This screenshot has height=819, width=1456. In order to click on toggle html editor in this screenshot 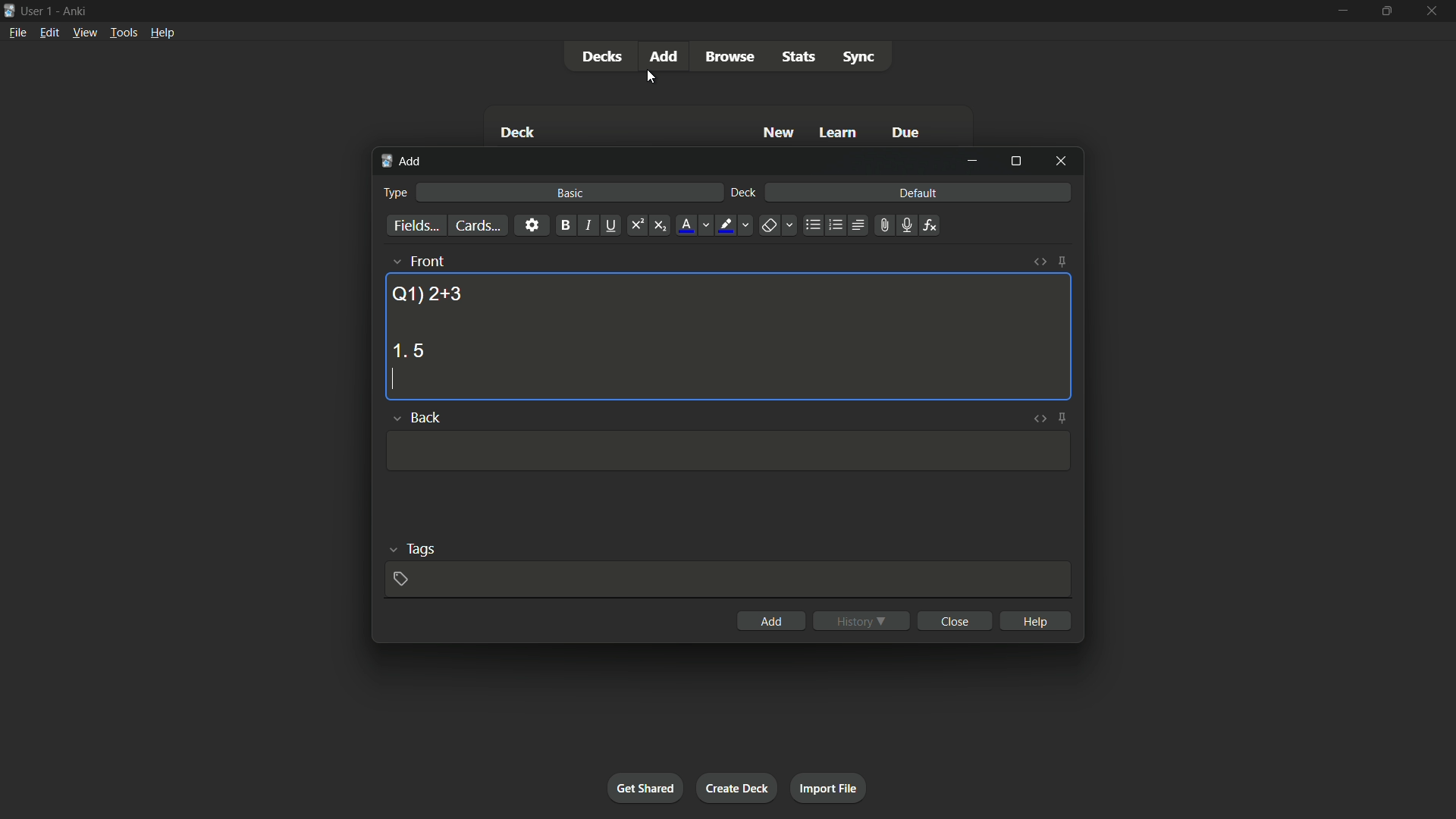, I will do `click(1040, 262)`.